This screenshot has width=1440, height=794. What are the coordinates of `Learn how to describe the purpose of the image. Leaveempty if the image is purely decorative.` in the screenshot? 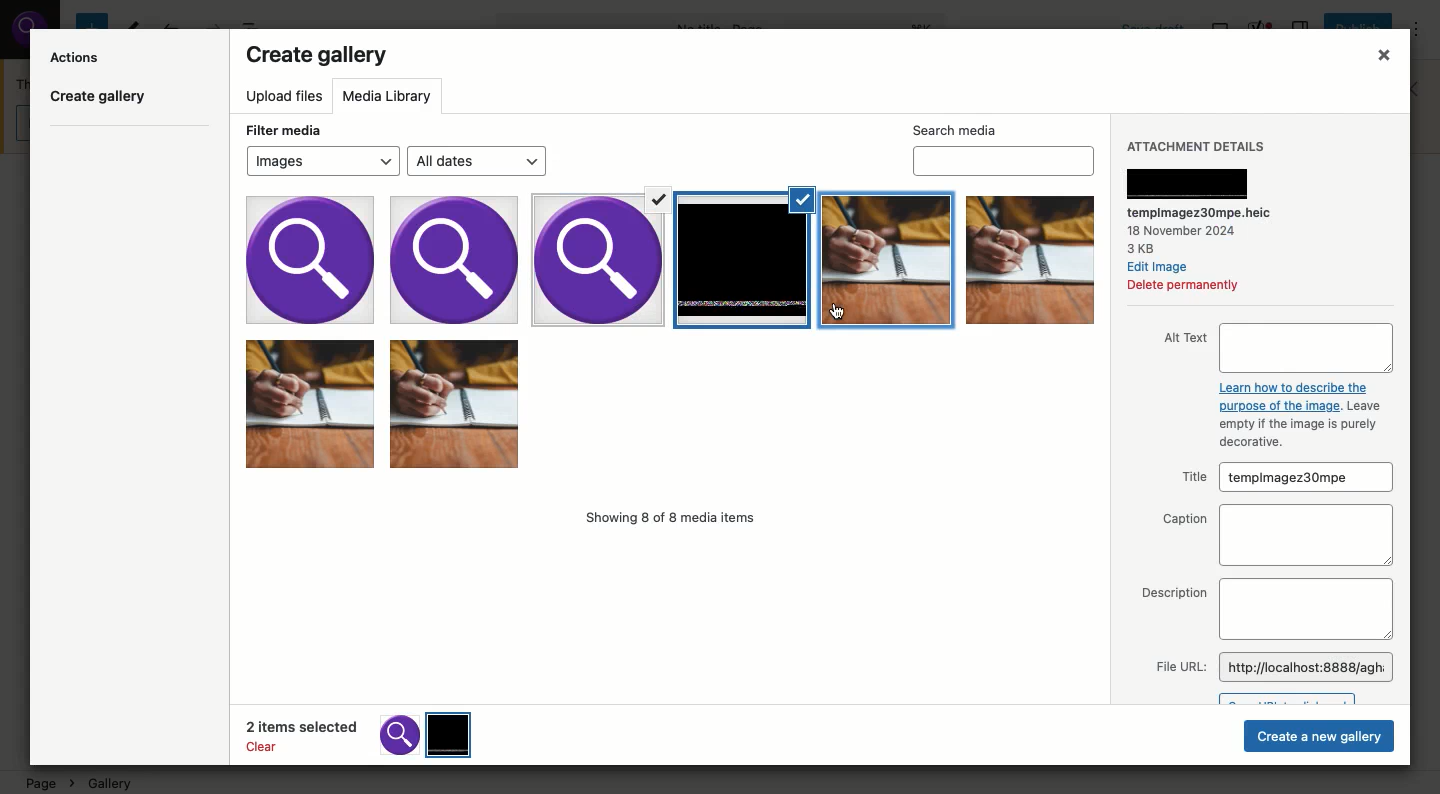 It's located at (1292, 419).